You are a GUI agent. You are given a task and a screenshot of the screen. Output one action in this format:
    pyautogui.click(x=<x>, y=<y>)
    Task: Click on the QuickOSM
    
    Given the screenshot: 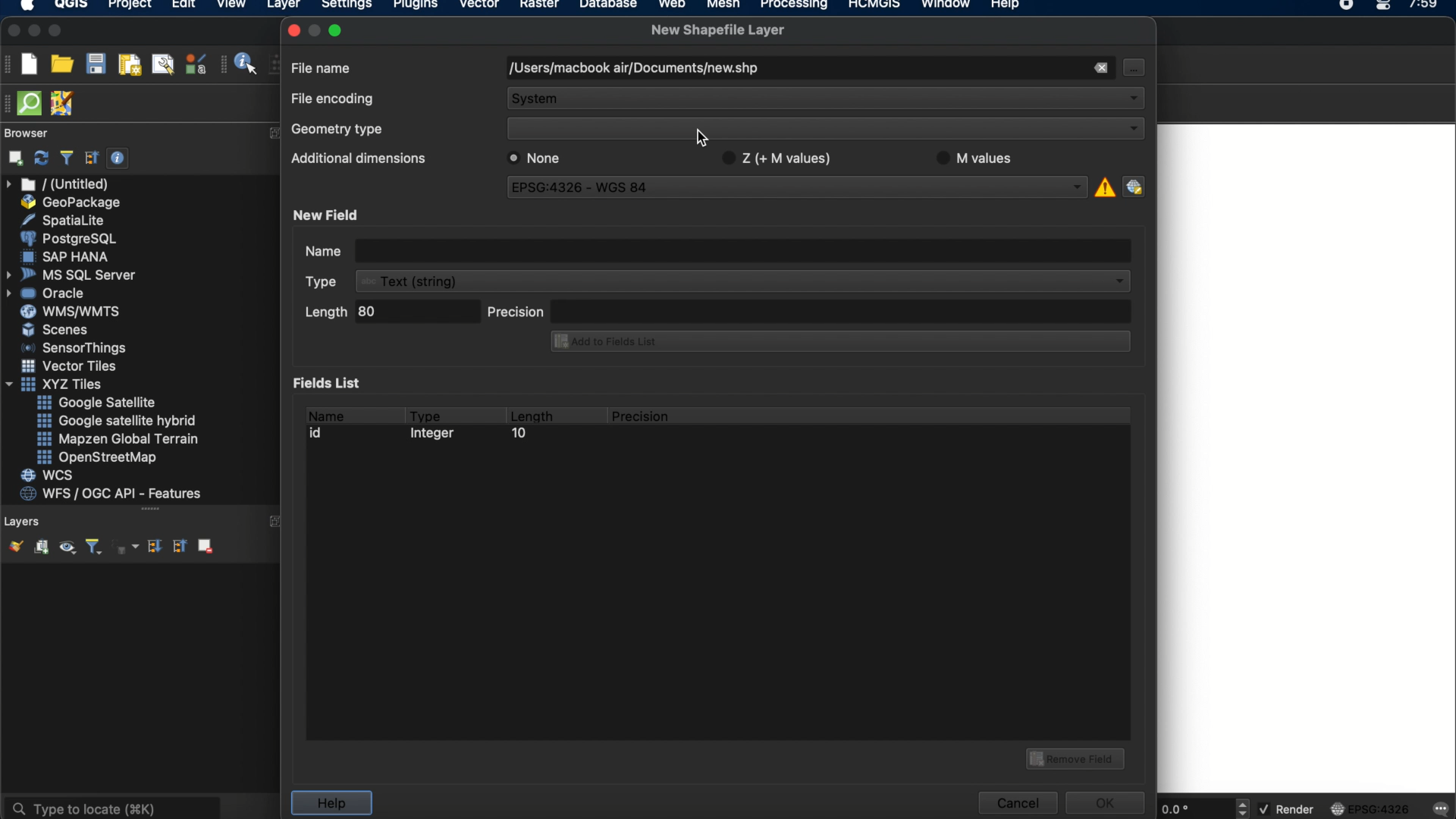 What is the action you would take?
    pyautogui.click(x=33, y=103)
    